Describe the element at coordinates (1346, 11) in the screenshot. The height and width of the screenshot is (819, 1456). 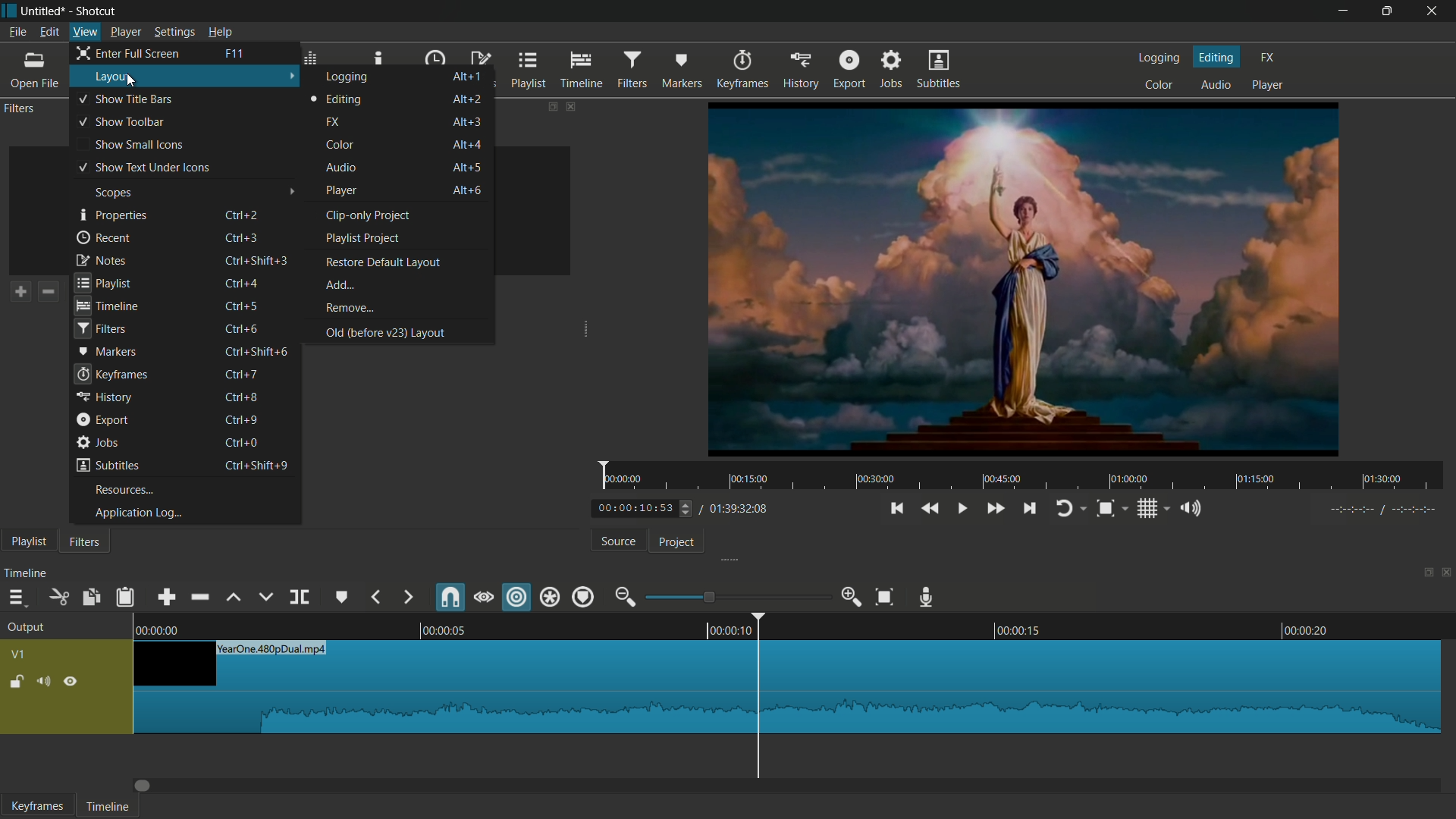
I see `minimize` at that location.